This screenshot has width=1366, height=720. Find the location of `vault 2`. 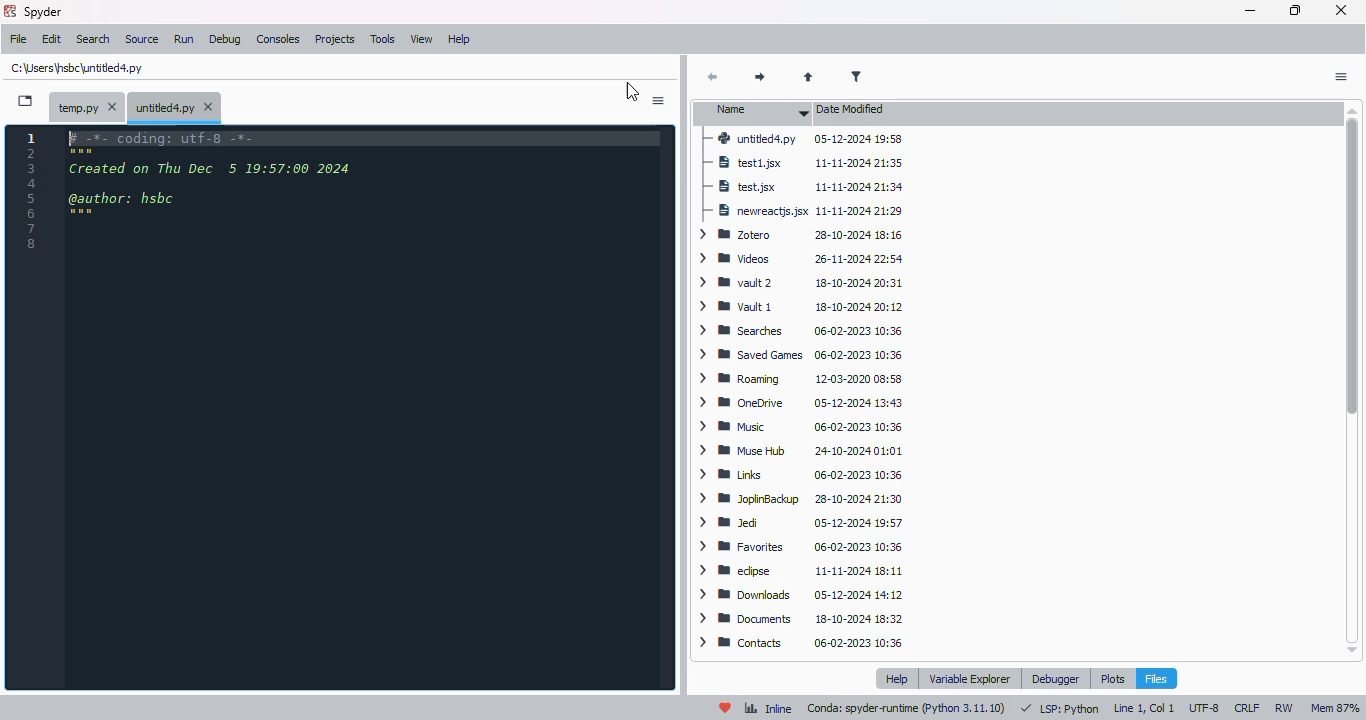

vault 2 is located at coordinates (800, 333).